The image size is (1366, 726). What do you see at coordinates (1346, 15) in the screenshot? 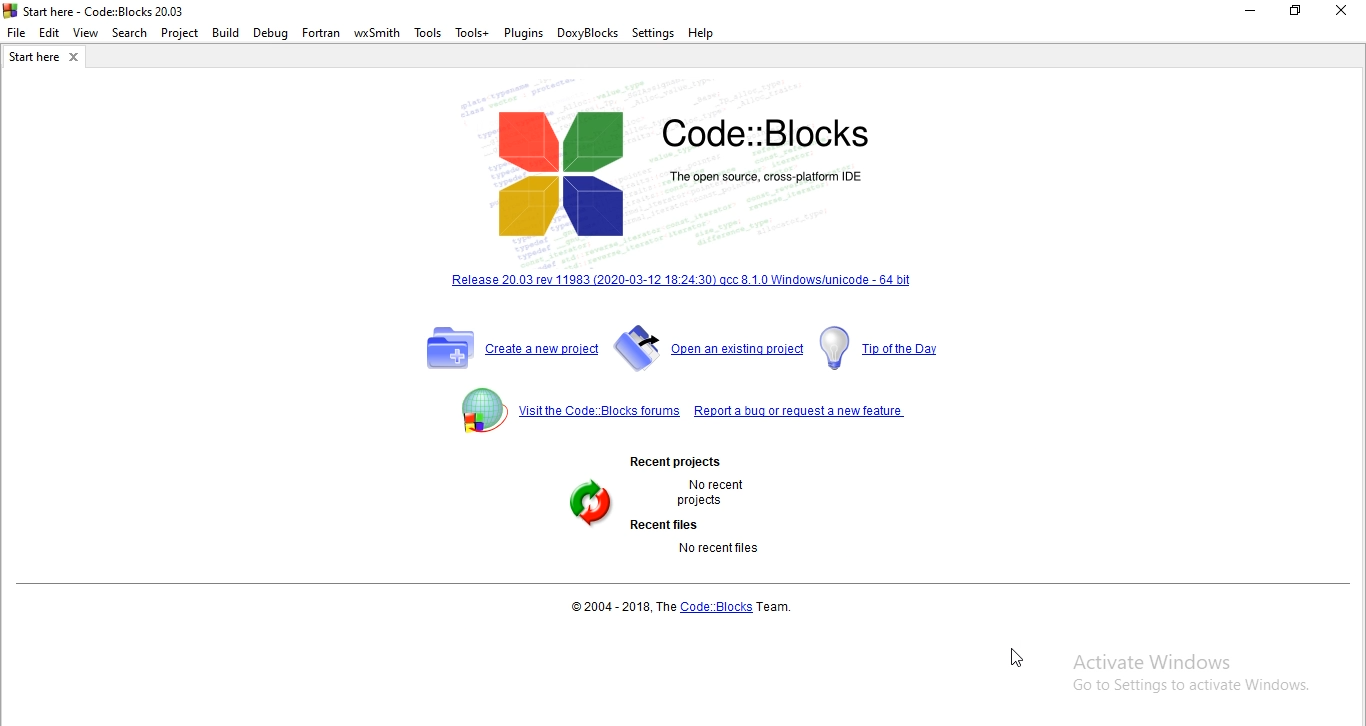
I see `close` at bounding box center [1346, 15].